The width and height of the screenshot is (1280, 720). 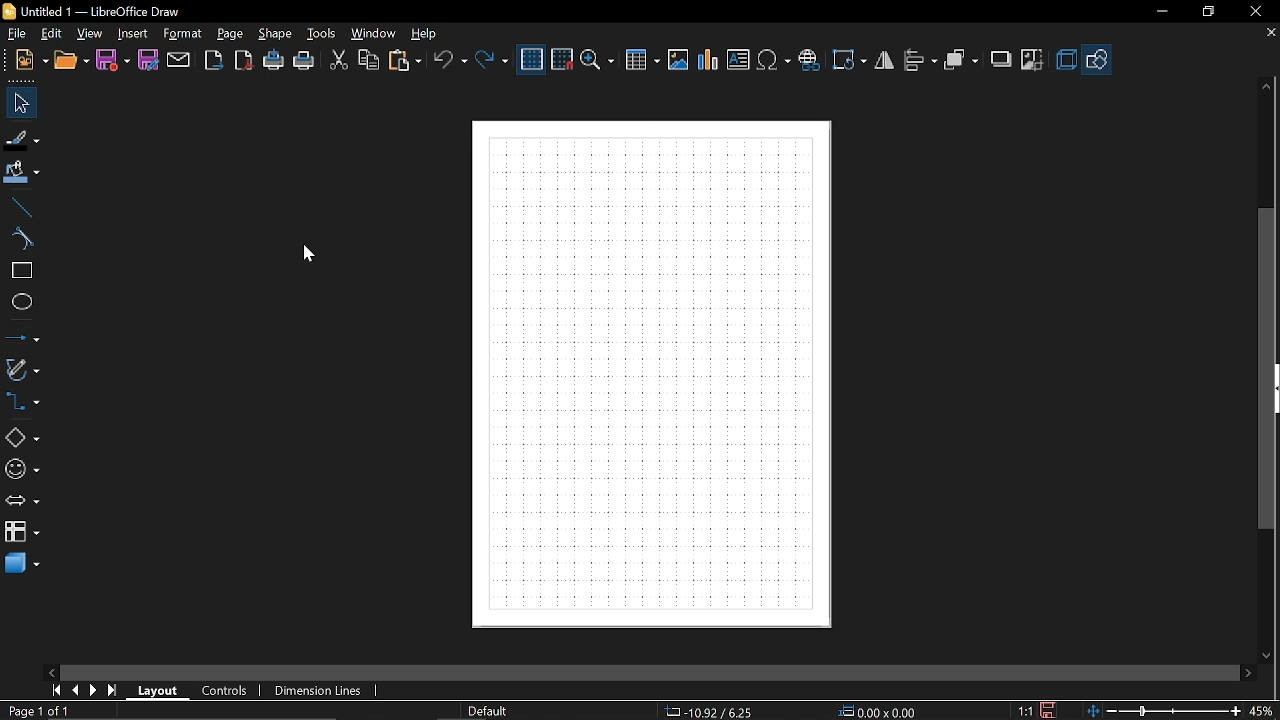 I want to click on Guide lines added, so click(x=654, y=374).